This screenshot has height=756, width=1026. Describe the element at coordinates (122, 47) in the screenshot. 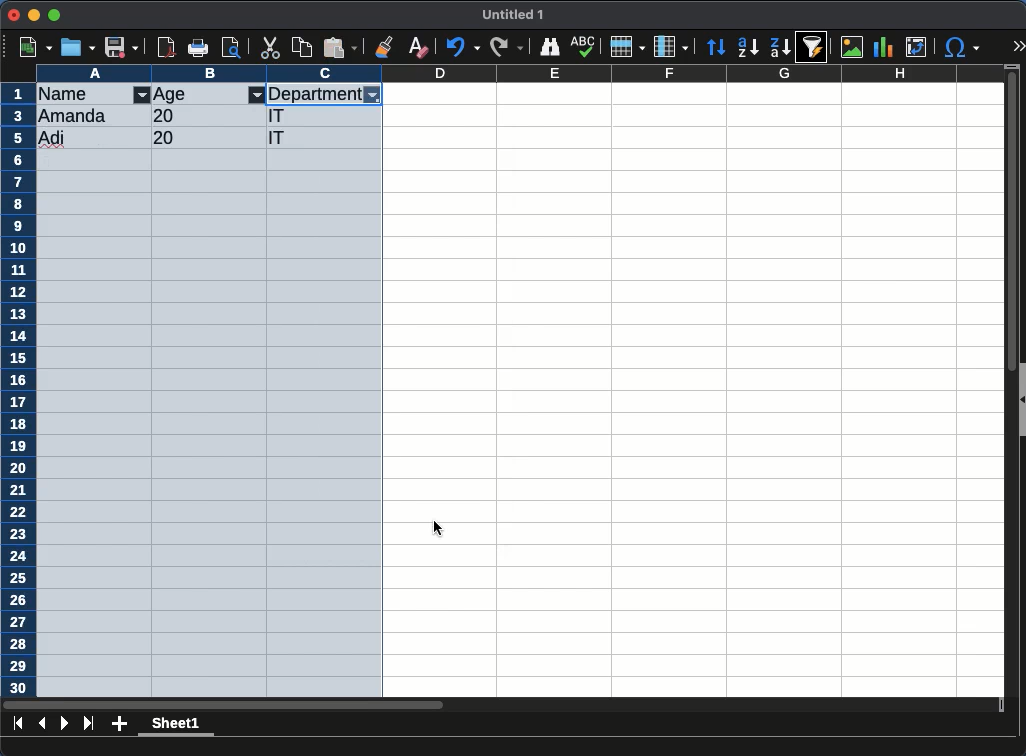

I see `save` at that location.